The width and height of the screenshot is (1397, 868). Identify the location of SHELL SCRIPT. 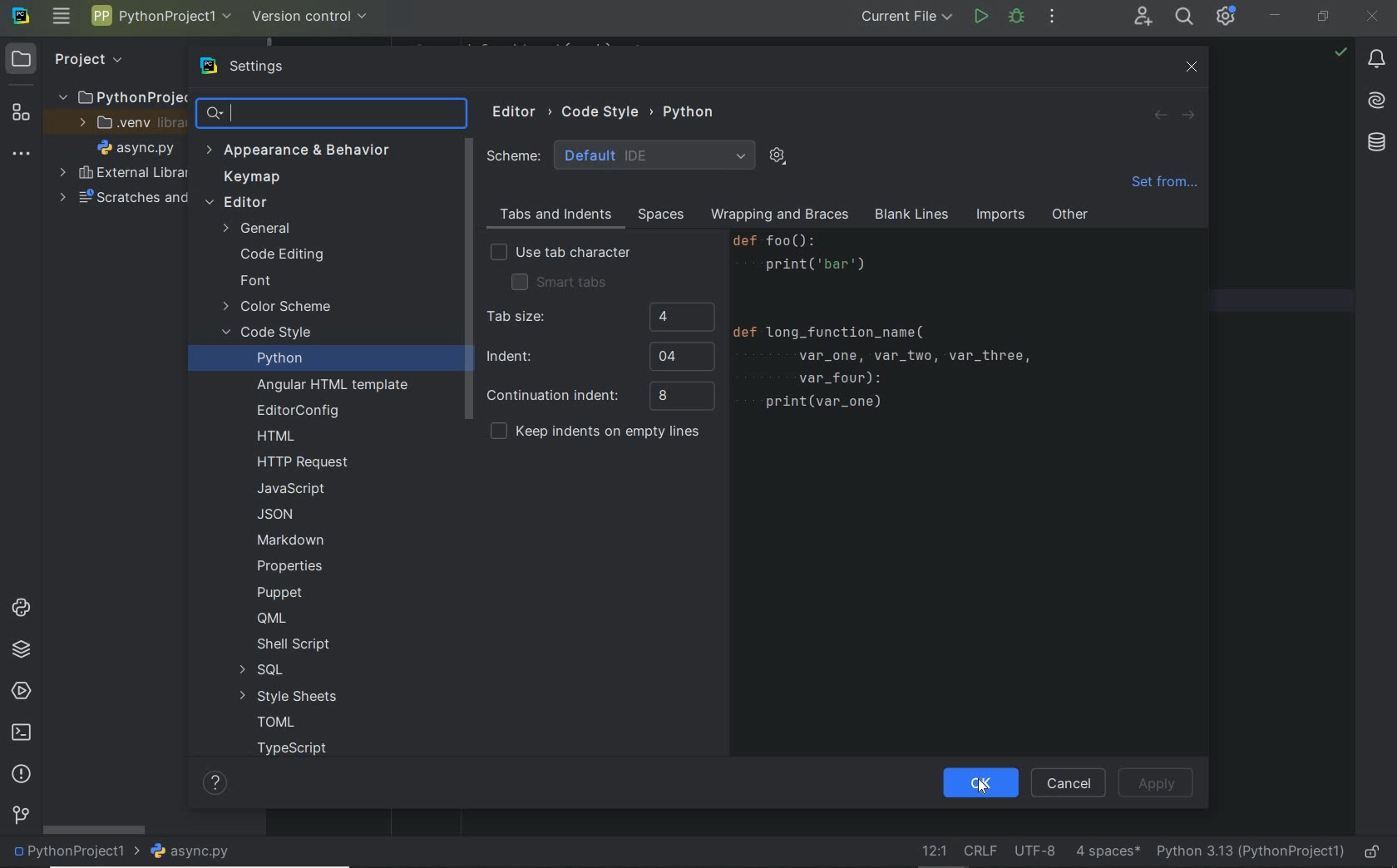
(293, 645).